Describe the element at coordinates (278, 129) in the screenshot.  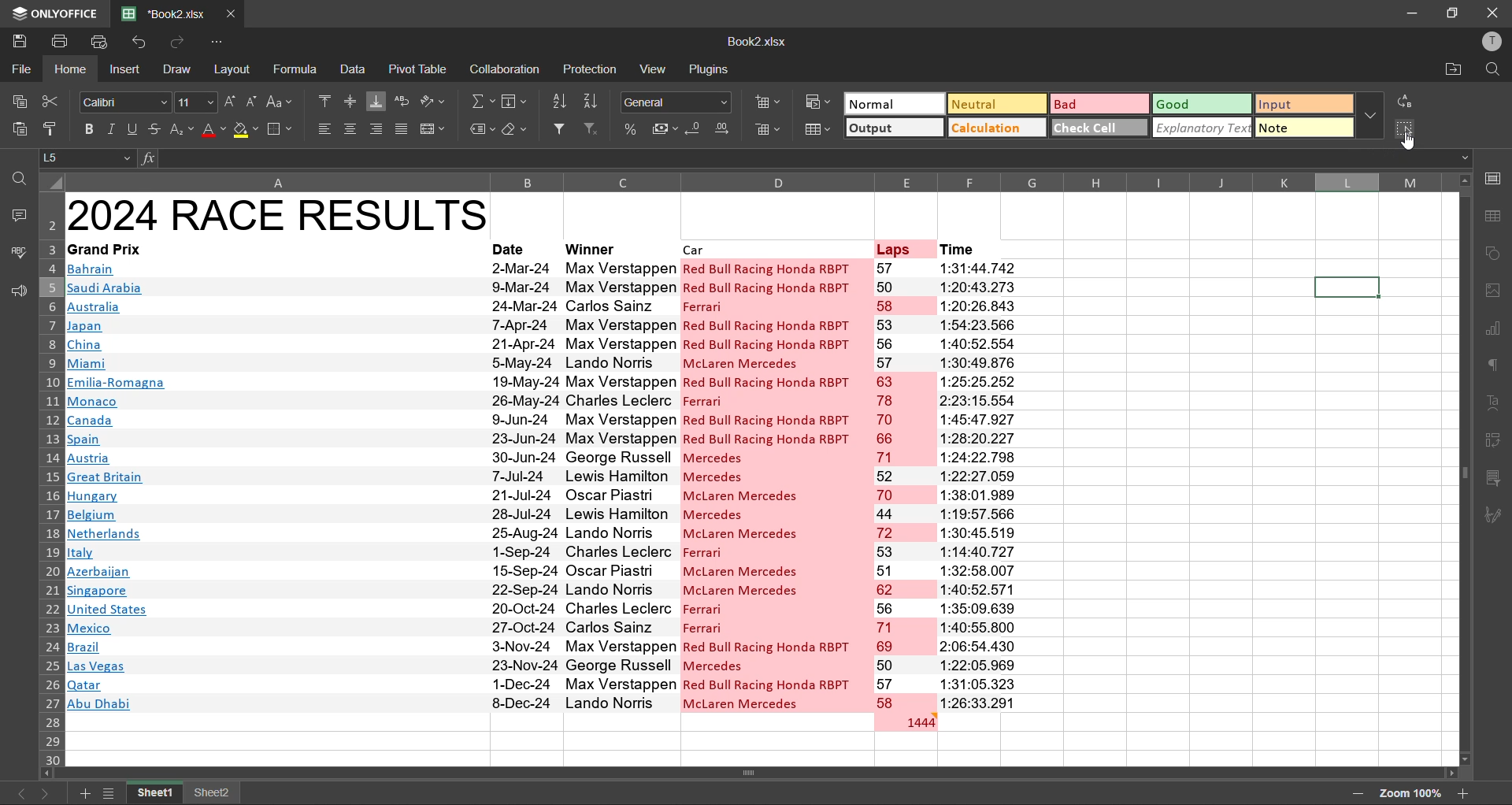
I see `borders` at that location.